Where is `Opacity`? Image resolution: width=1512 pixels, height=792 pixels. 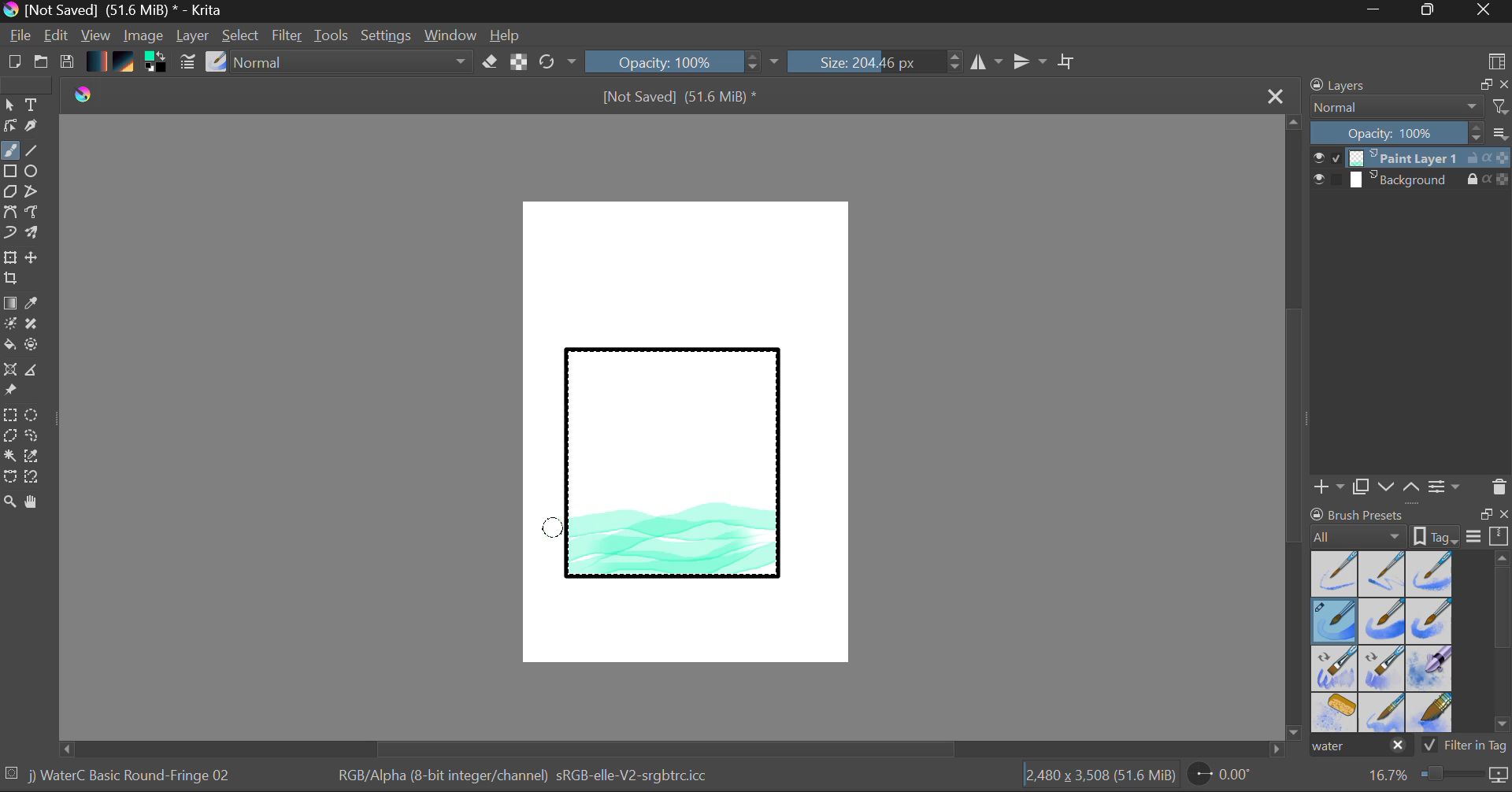 Opacity is located at coordinates (684, 61).